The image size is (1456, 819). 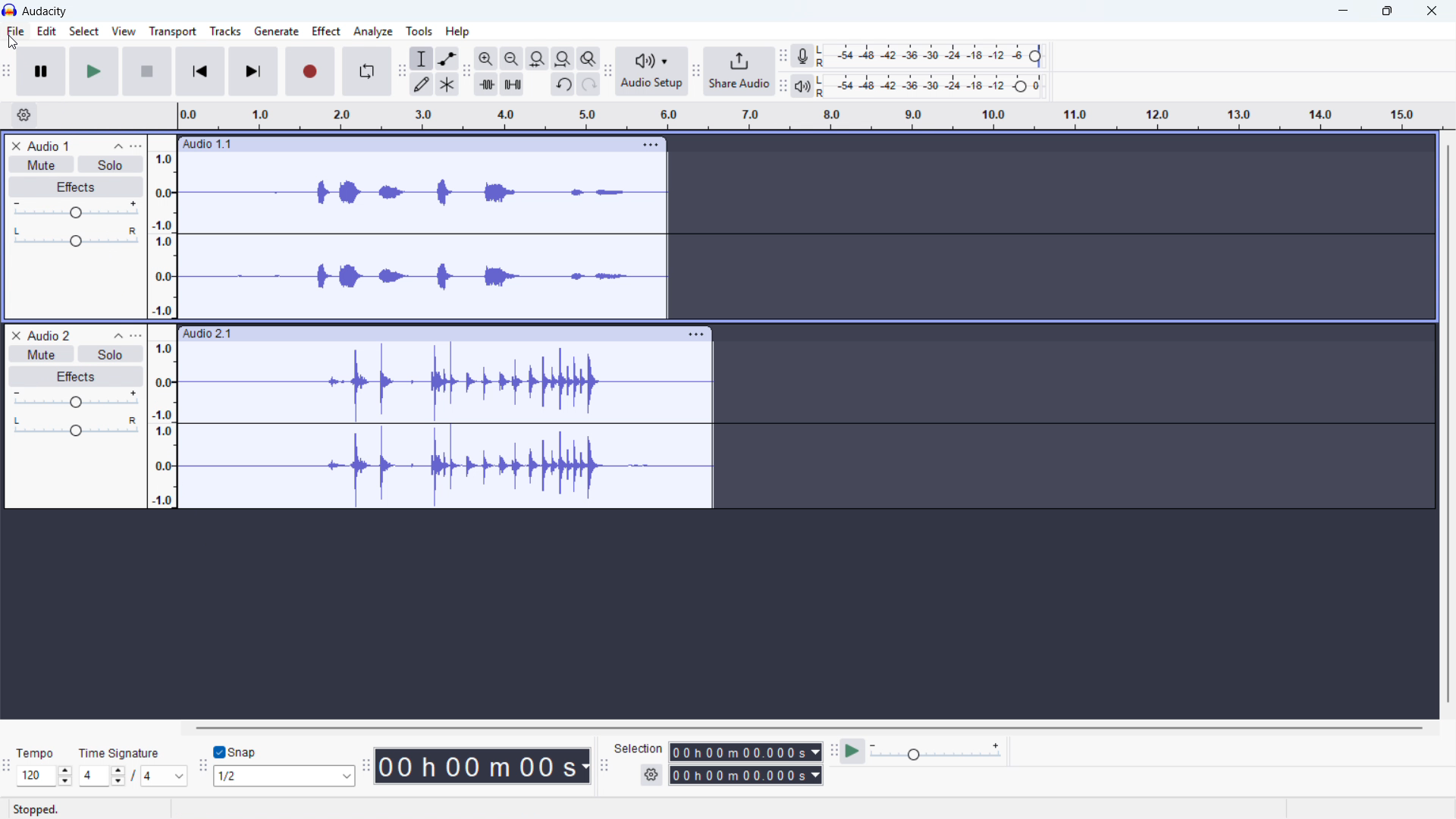 What do you see at coordinates (422, 58) in the screenshot?
I see `Selection tool` at bounding box center [422, 58].